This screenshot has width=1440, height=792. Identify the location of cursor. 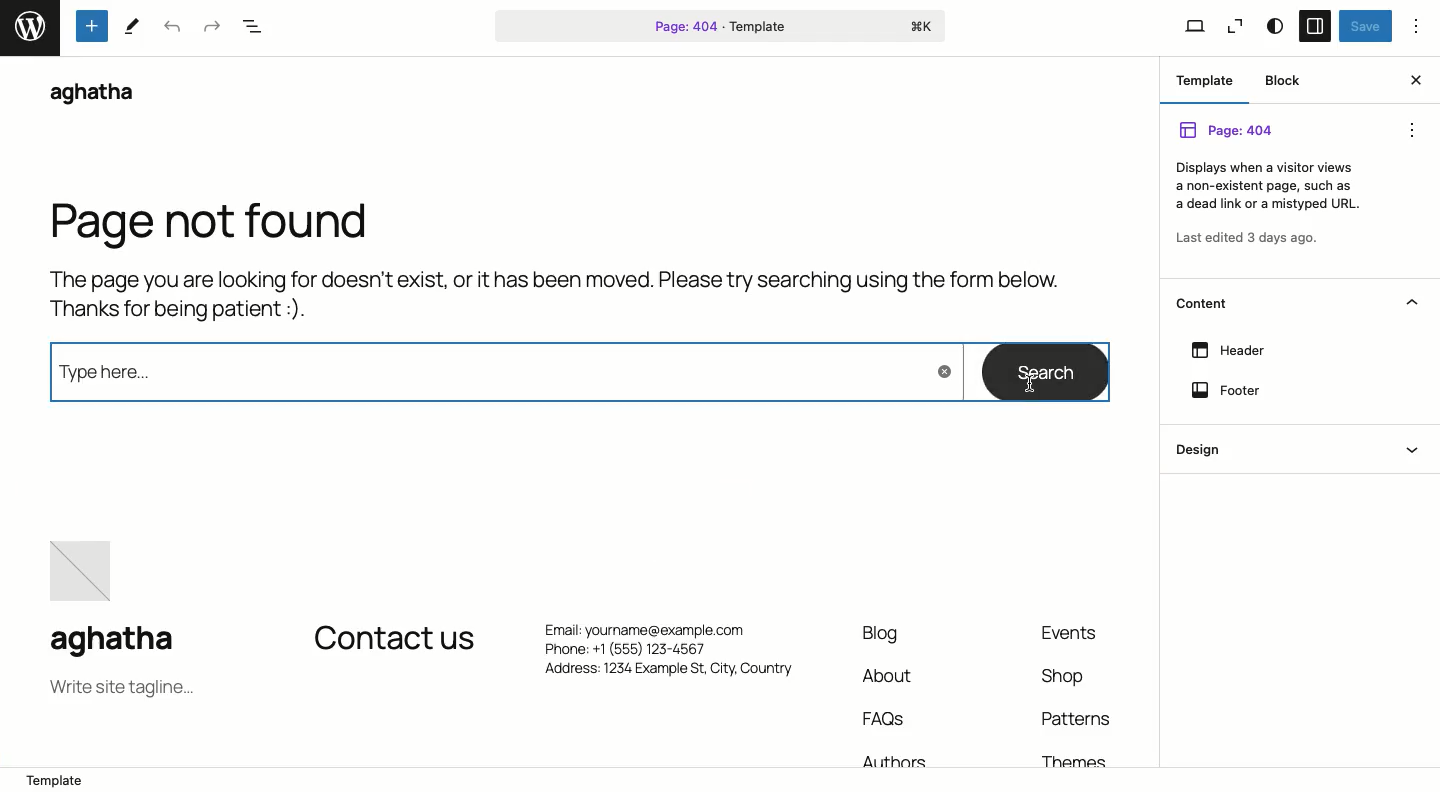
(1030, 387).